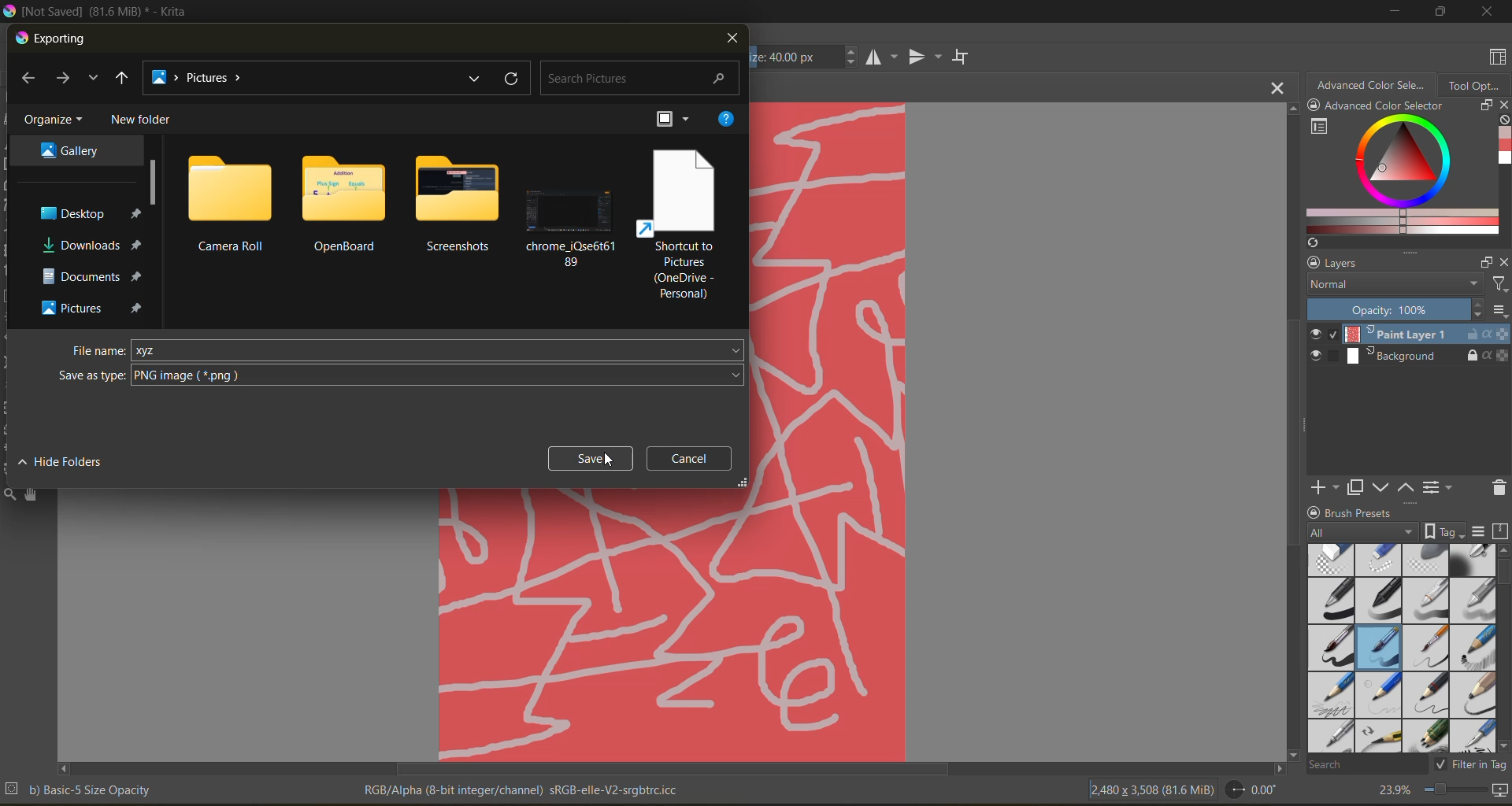 This screenshot has width=1512, height=806. I want to click on add, so click(1322, 486).